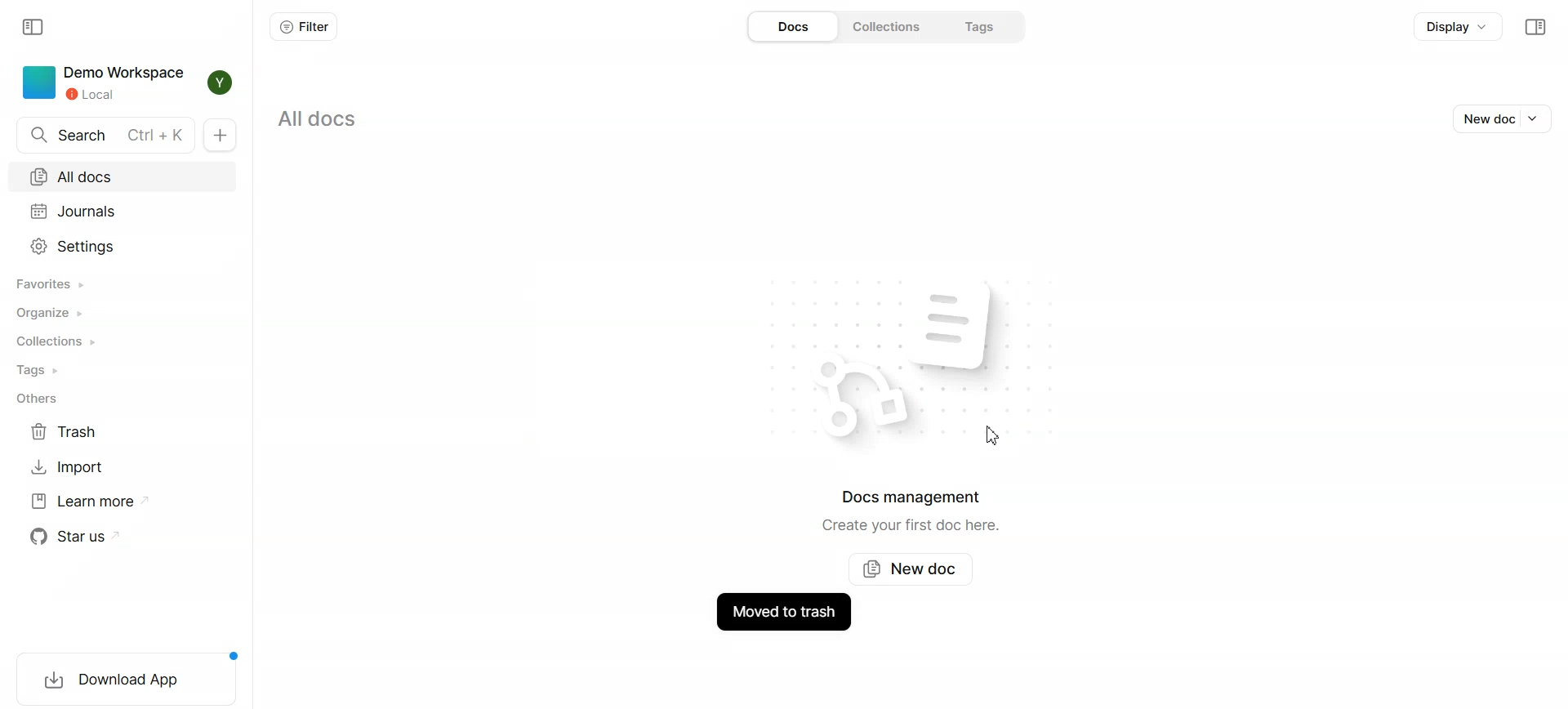  What do you see at coordinates (792, 26) in the screenshot?
I see `Docs` at bounding box center [792, 26].